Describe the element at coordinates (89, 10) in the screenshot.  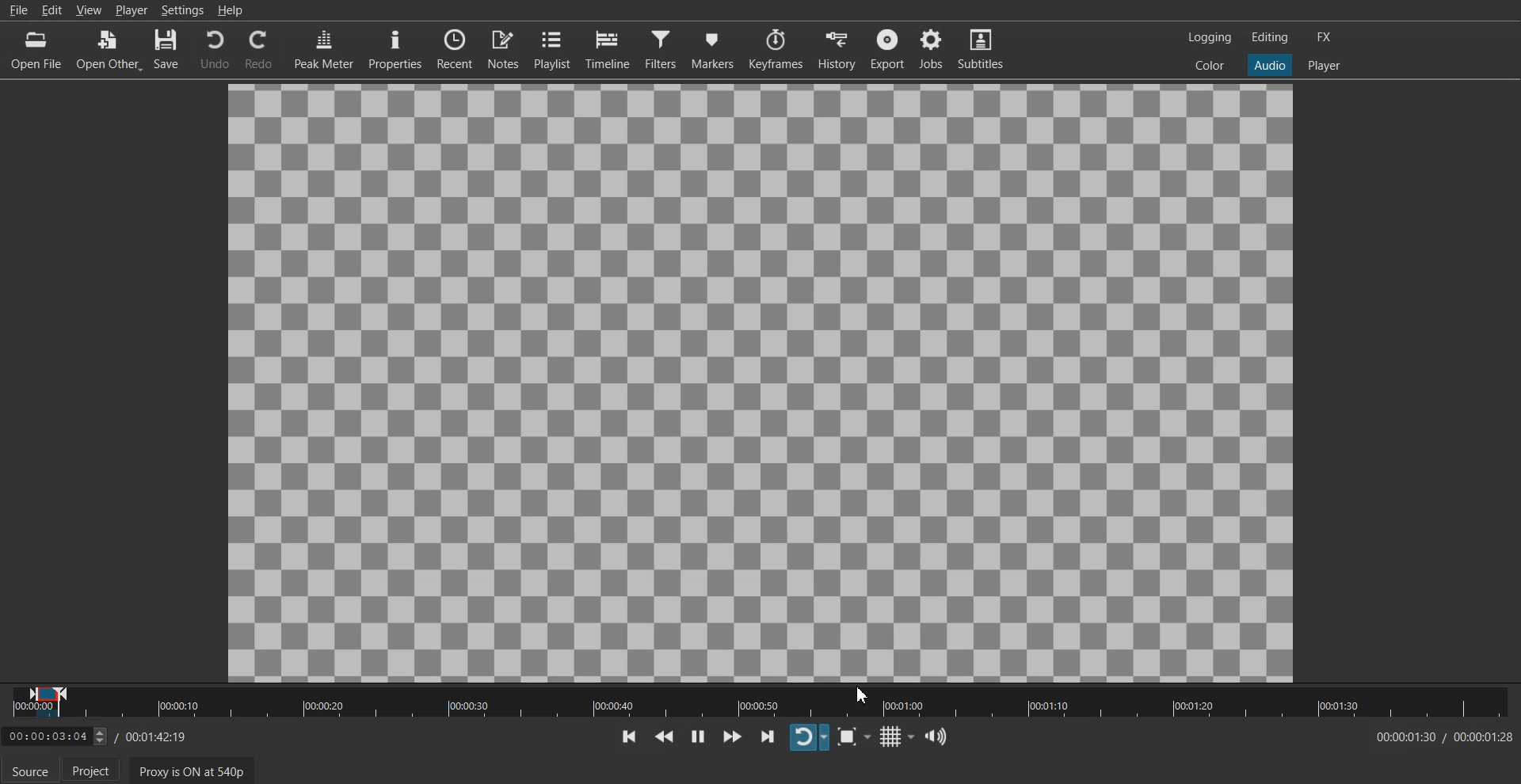
I see `View` at that location.